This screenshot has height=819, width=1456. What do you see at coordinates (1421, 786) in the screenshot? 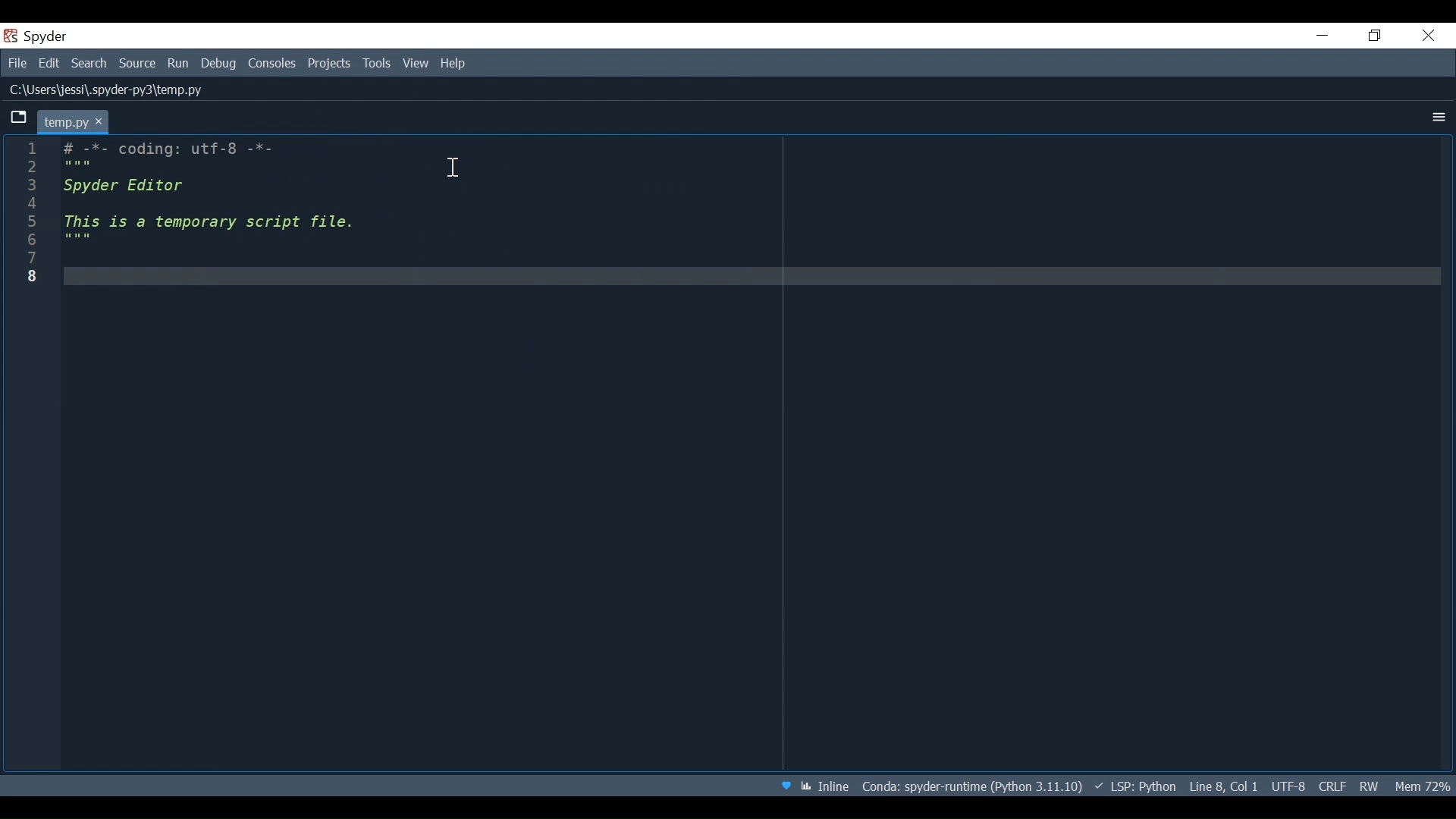
I see `Memory Usage` at bounding box center [1421, 786].